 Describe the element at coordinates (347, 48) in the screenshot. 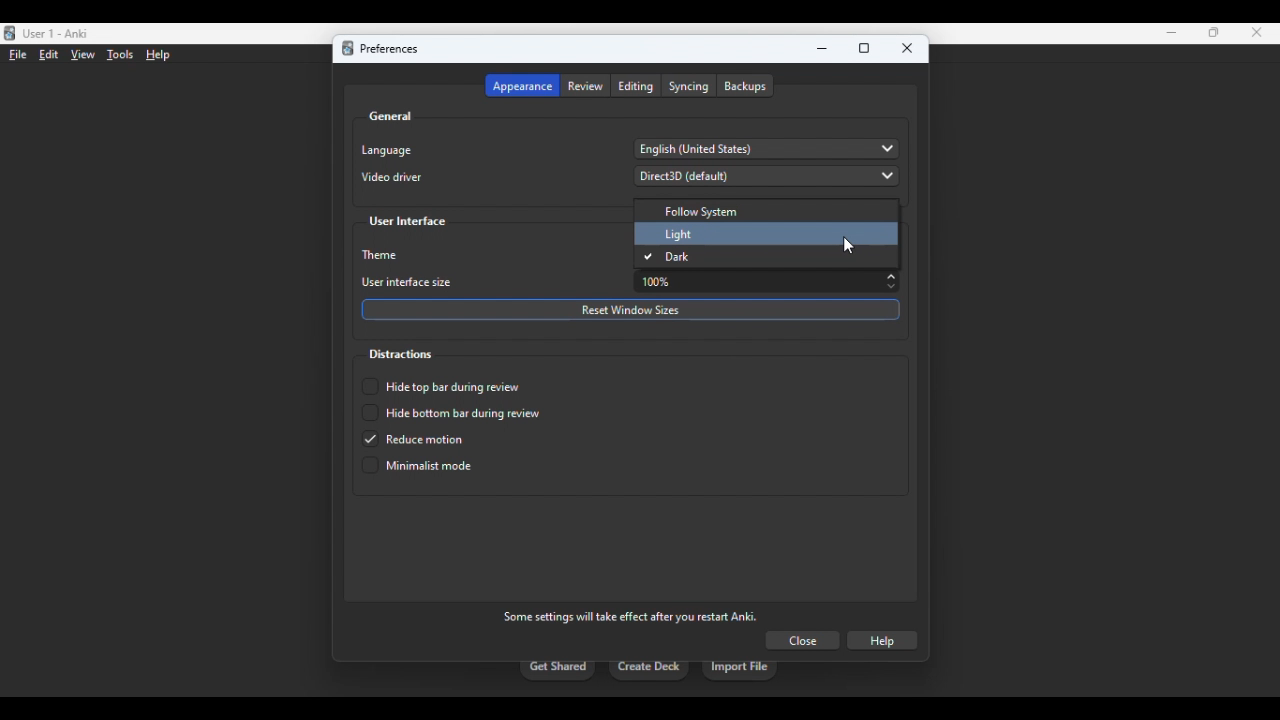

I see `logo` at that location.